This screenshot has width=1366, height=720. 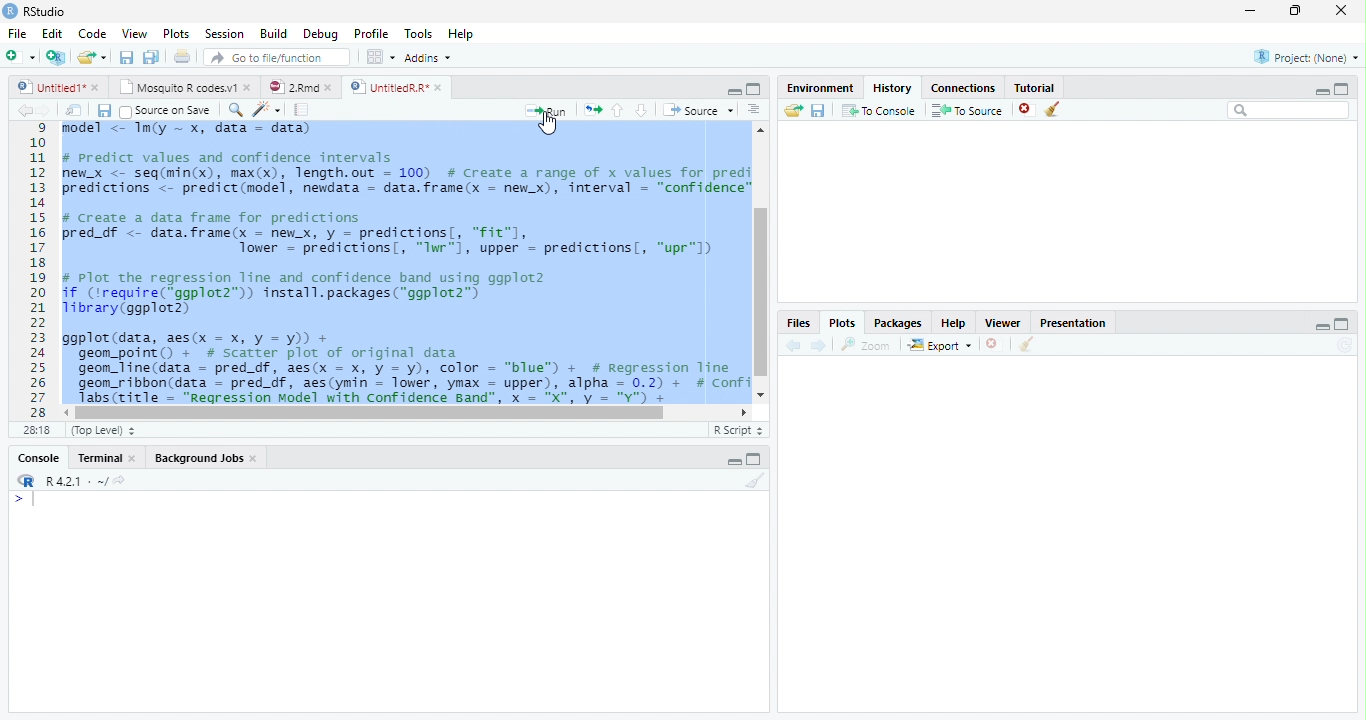 What do you see at coordinates (235, 112) in the screenshot?
I see `Zoom` at bounding box center [235, 112].